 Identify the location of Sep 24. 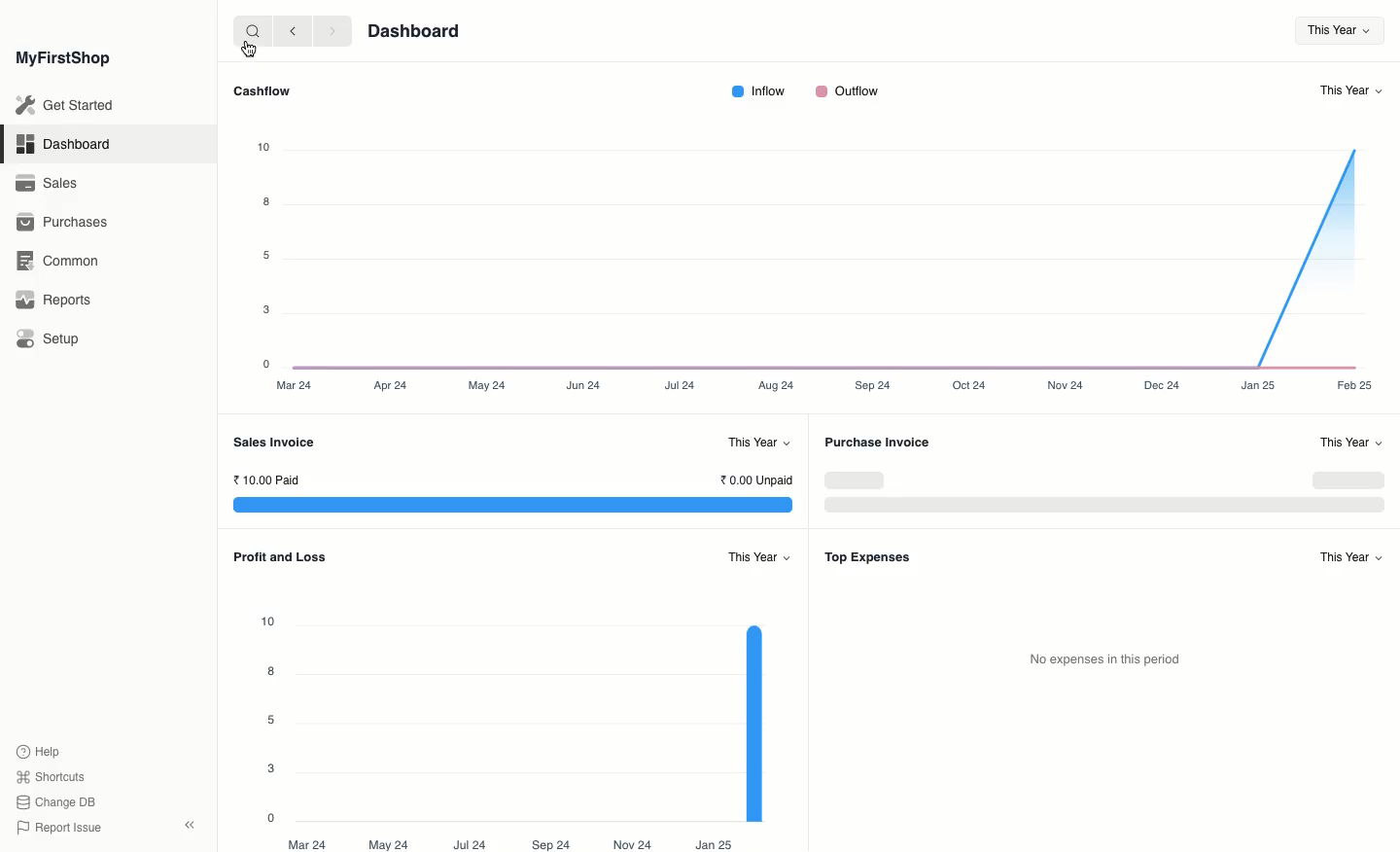
(551, 843).